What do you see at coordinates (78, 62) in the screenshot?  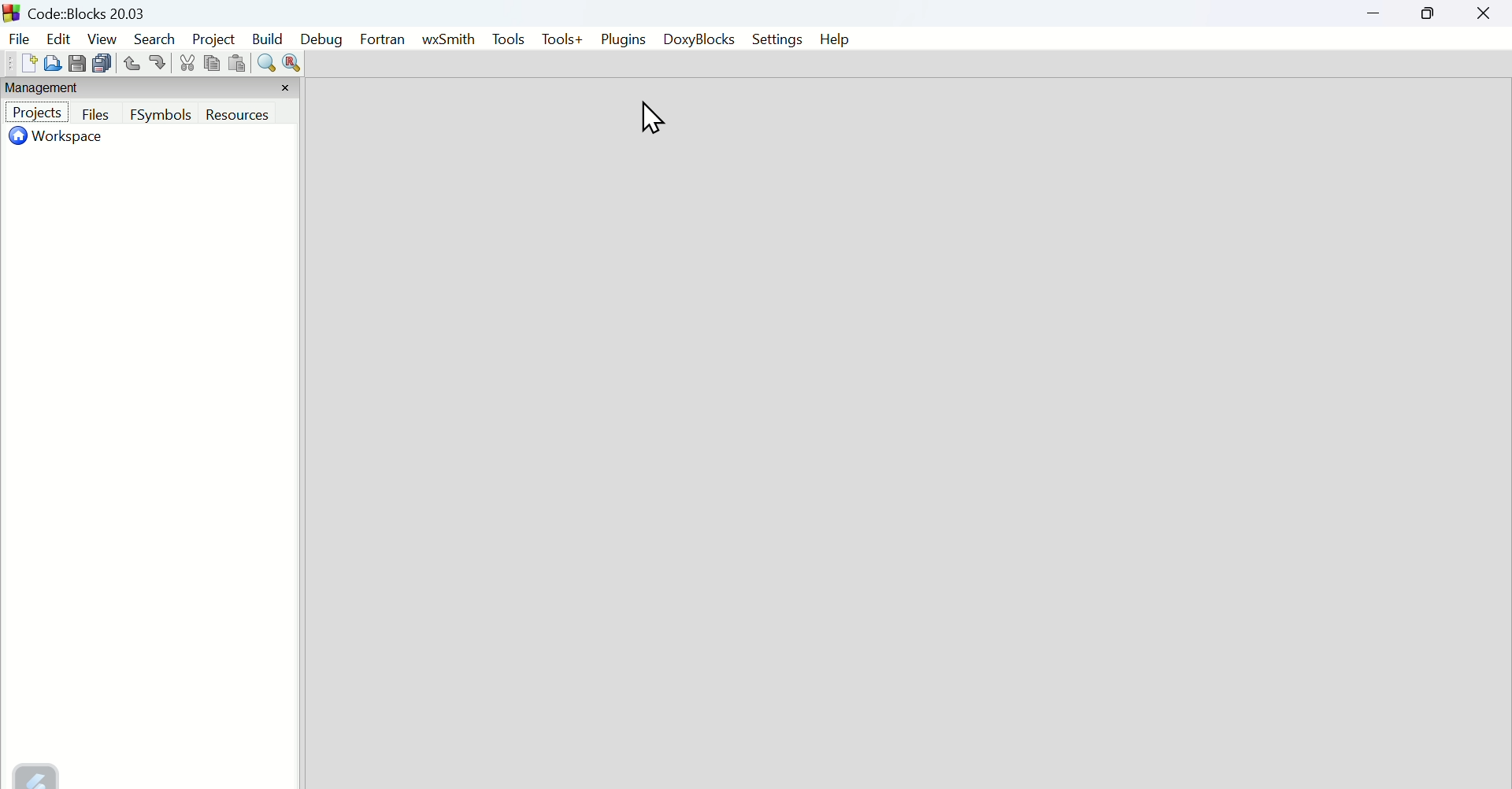 I see `Save file` at bounding box center [78, 62].